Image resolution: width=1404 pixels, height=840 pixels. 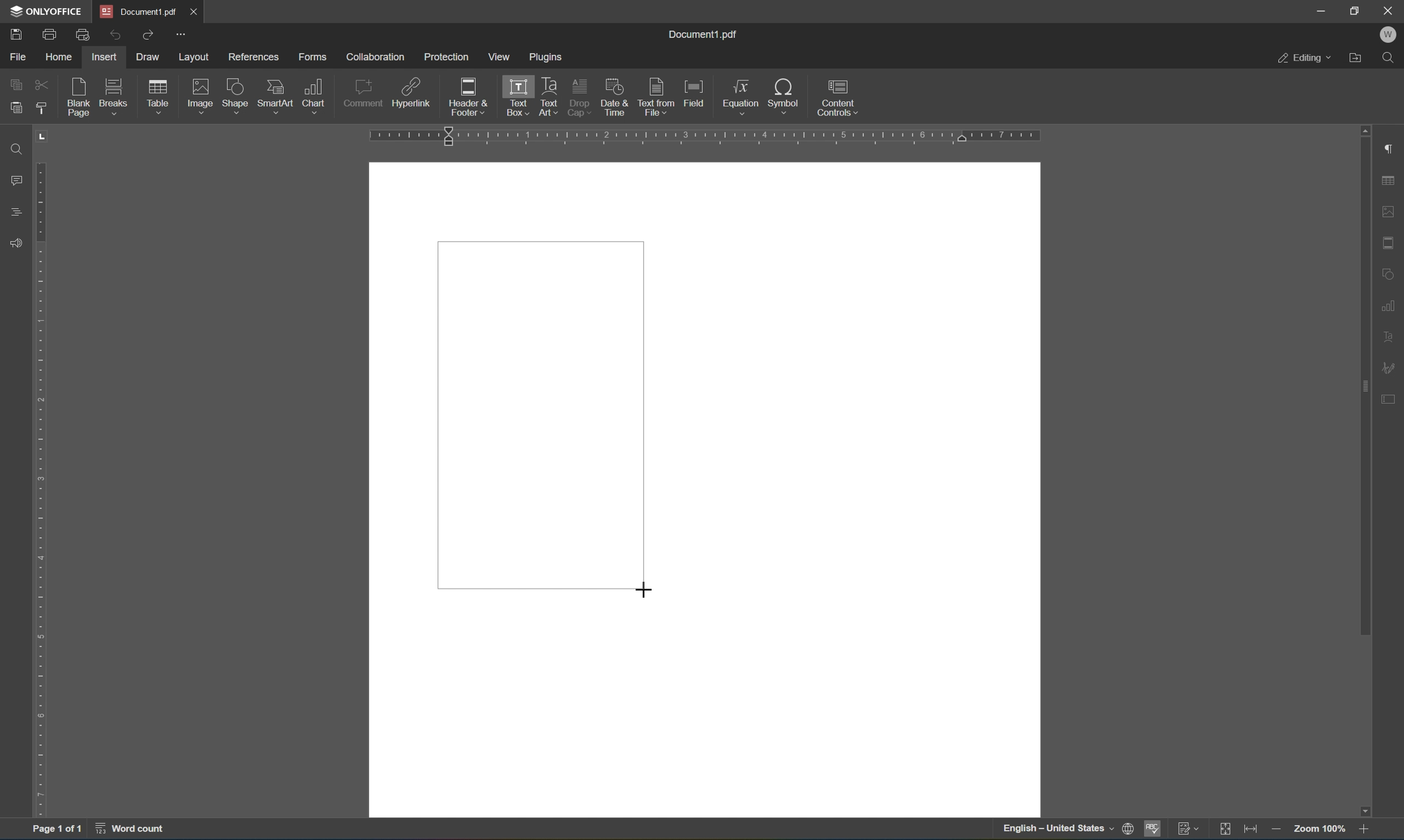 I want to click on copy style, so click(x=41, y=108).